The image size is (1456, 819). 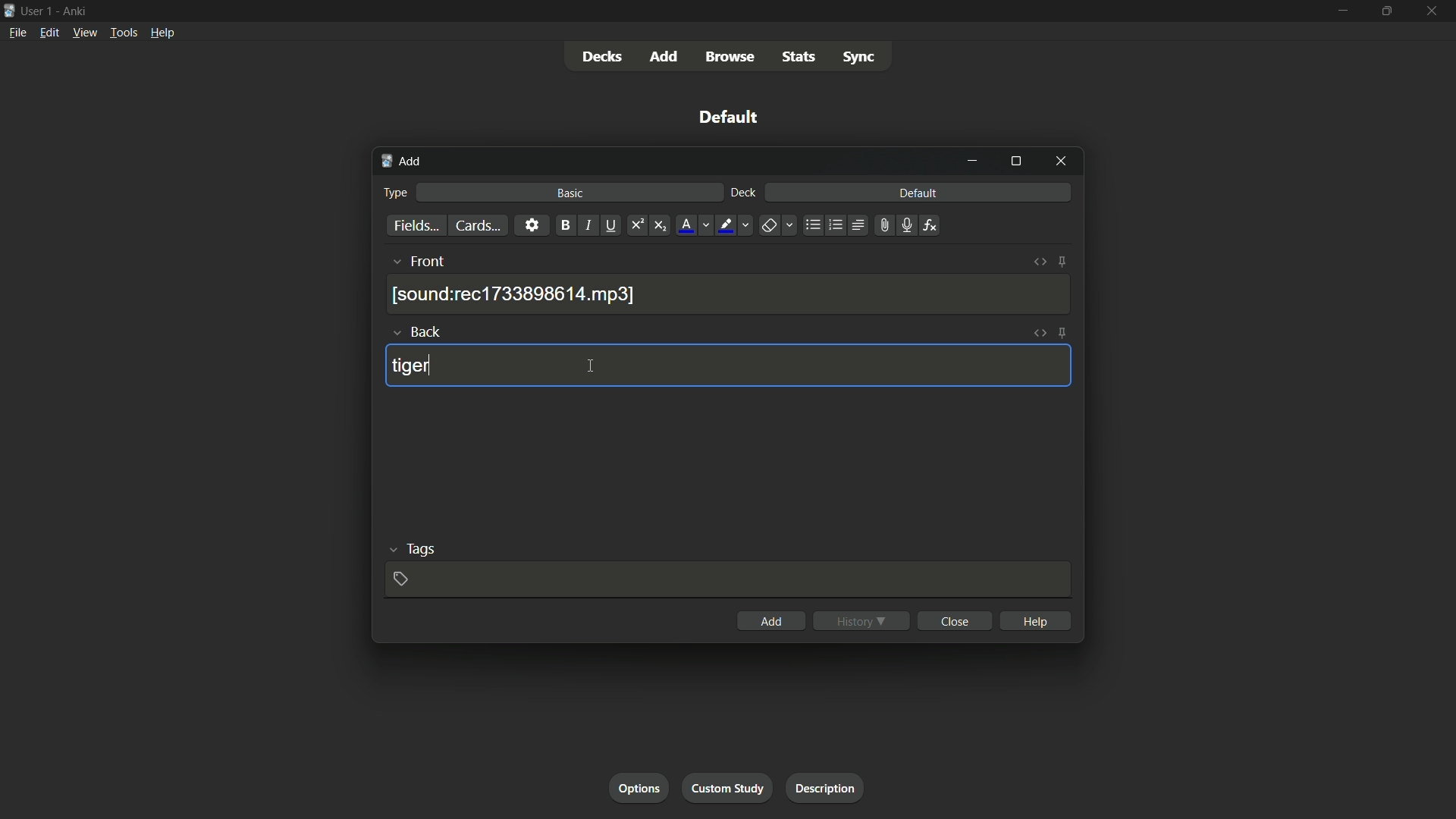 What do you see at coordinates (162, 33) in the screenshot?
I see `help menu` at bounding box center [162, 33].